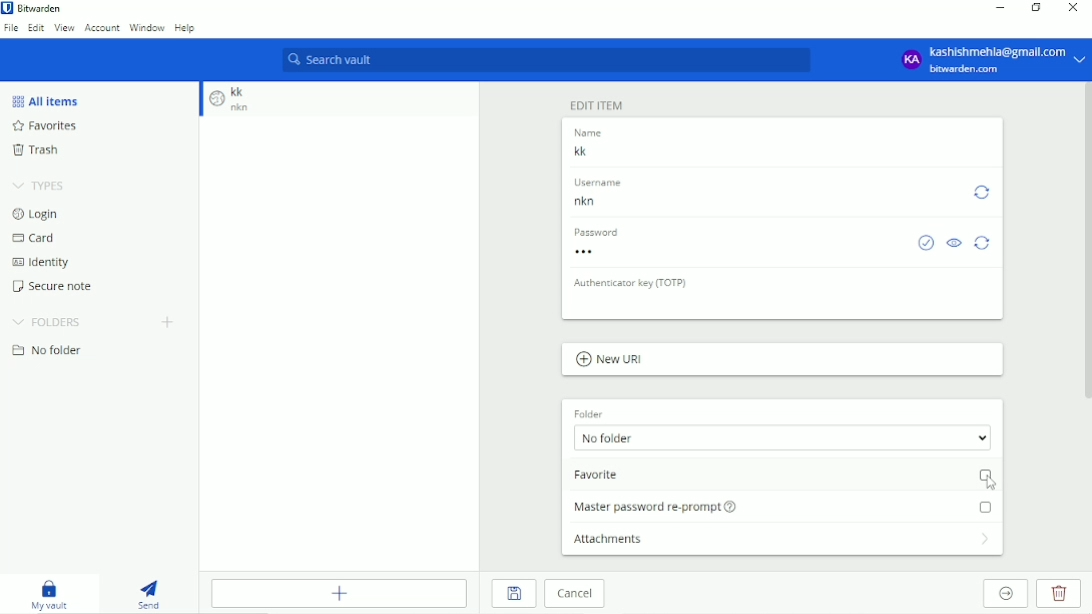 This screenshot has width=1092, height=614. I want to click on Authenticator key, so click(629, 285).